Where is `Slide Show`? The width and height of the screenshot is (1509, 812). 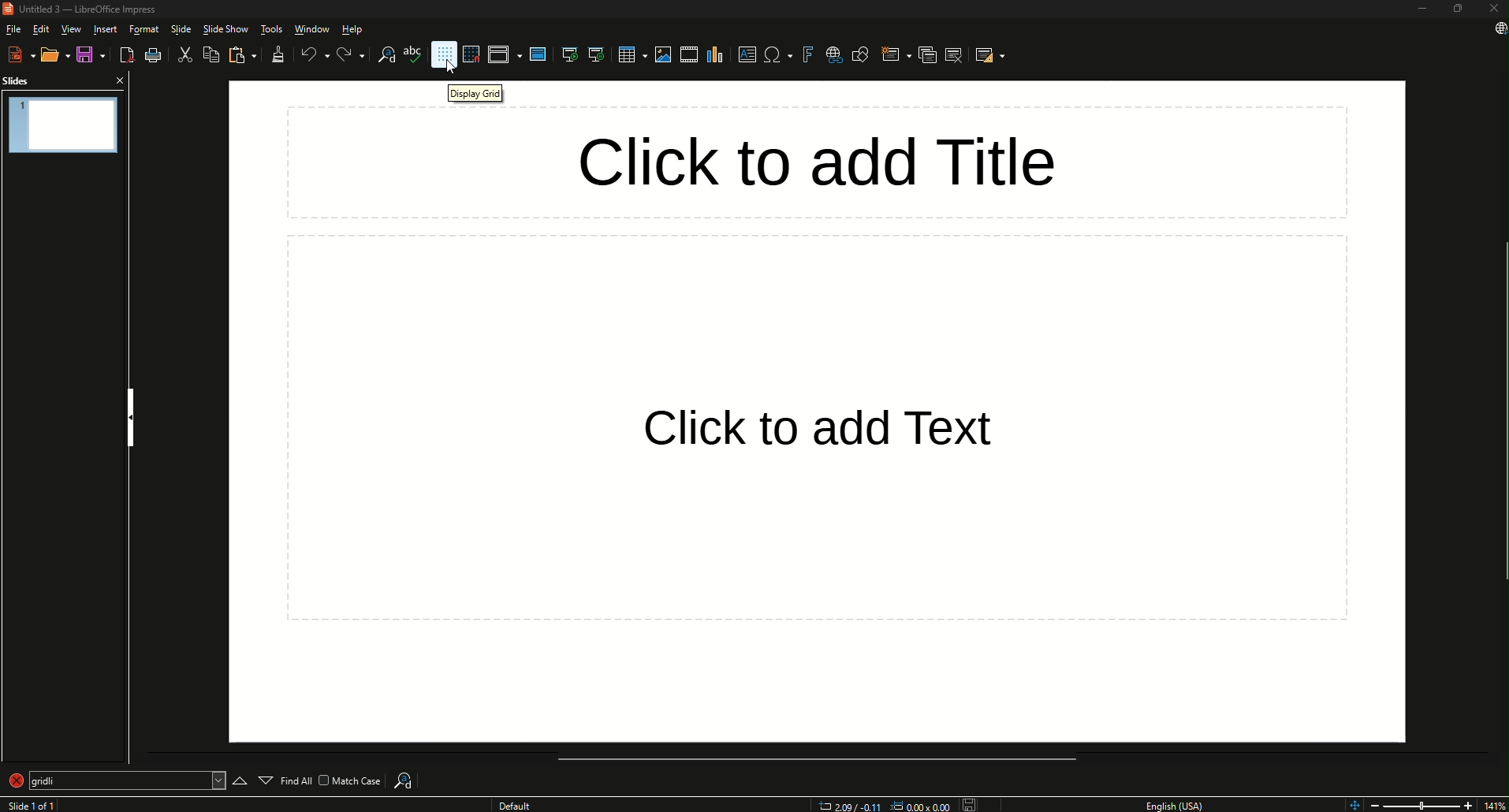
Slide Show is located at coordinates (225, 30).